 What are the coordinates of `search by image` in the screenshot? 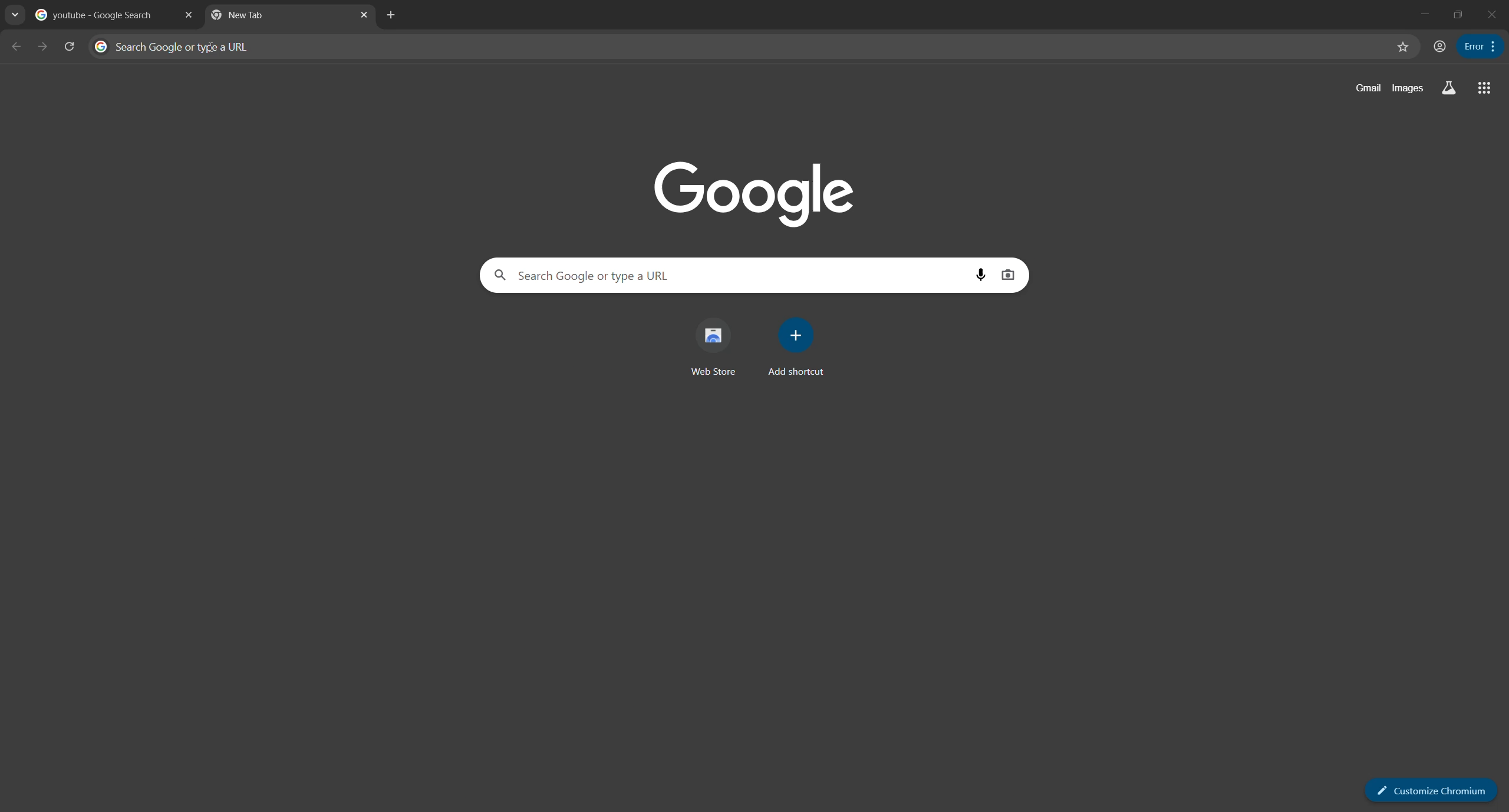 It's located at (1009, 276).